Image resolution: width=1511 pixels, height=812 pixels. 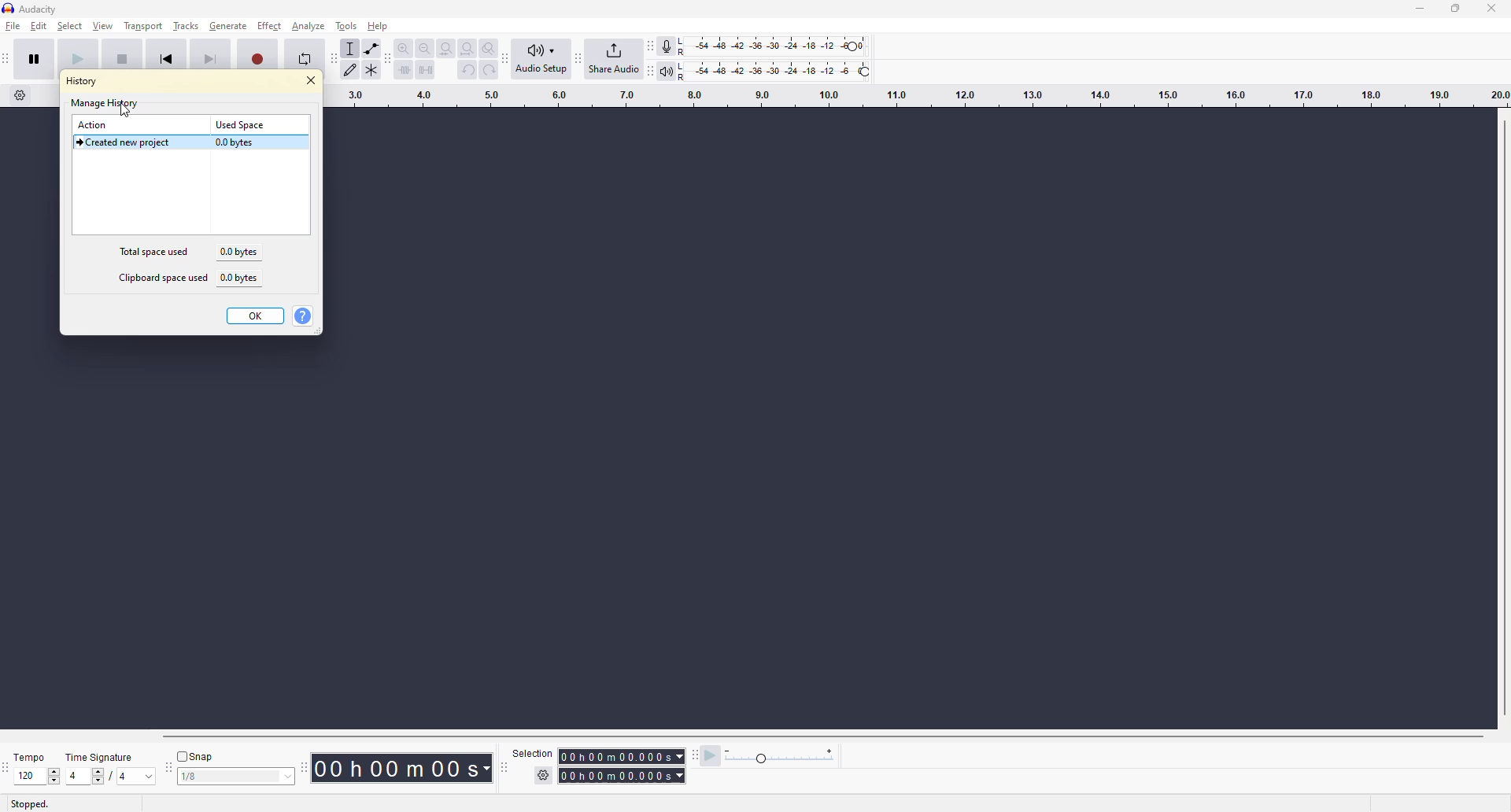 What do you see at coordinates (135, 777) in the screenshot?
I see `value` at bounding box center [135, 777].